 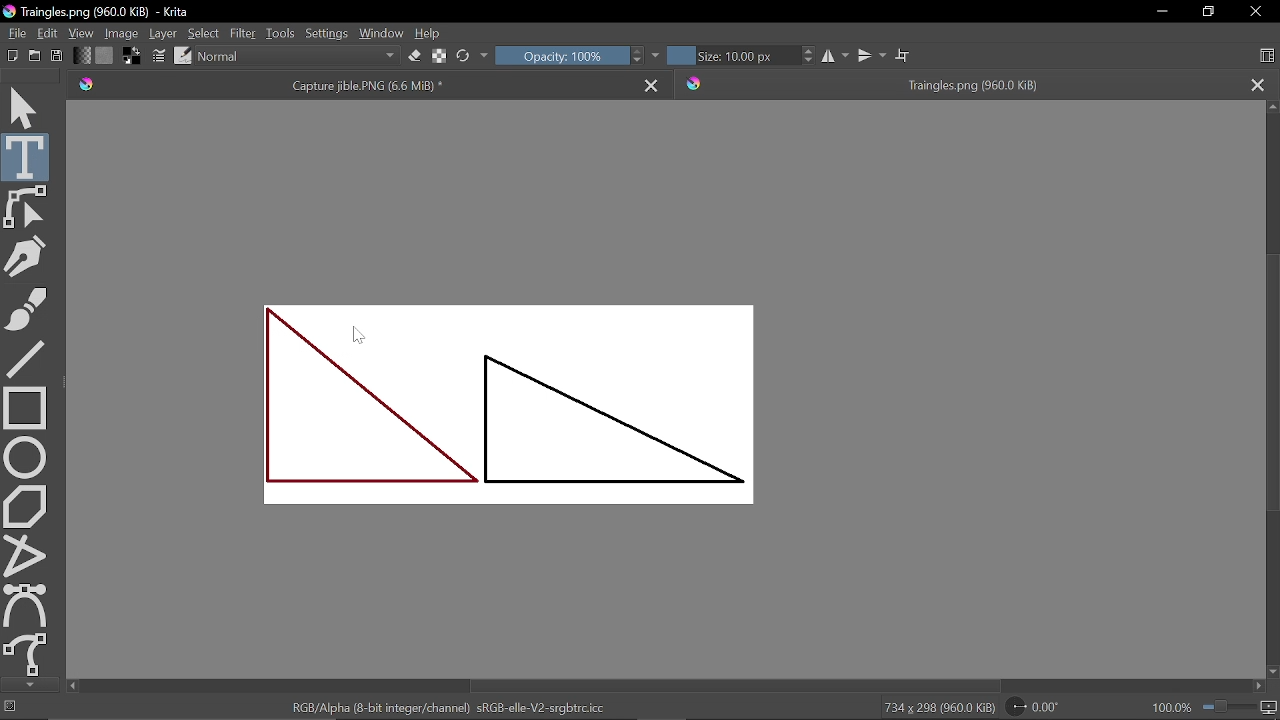 What do you see at coordinates (26, 207) in the screenshot?
I see `Edit shapes tool` at bounding box center [26, 207].